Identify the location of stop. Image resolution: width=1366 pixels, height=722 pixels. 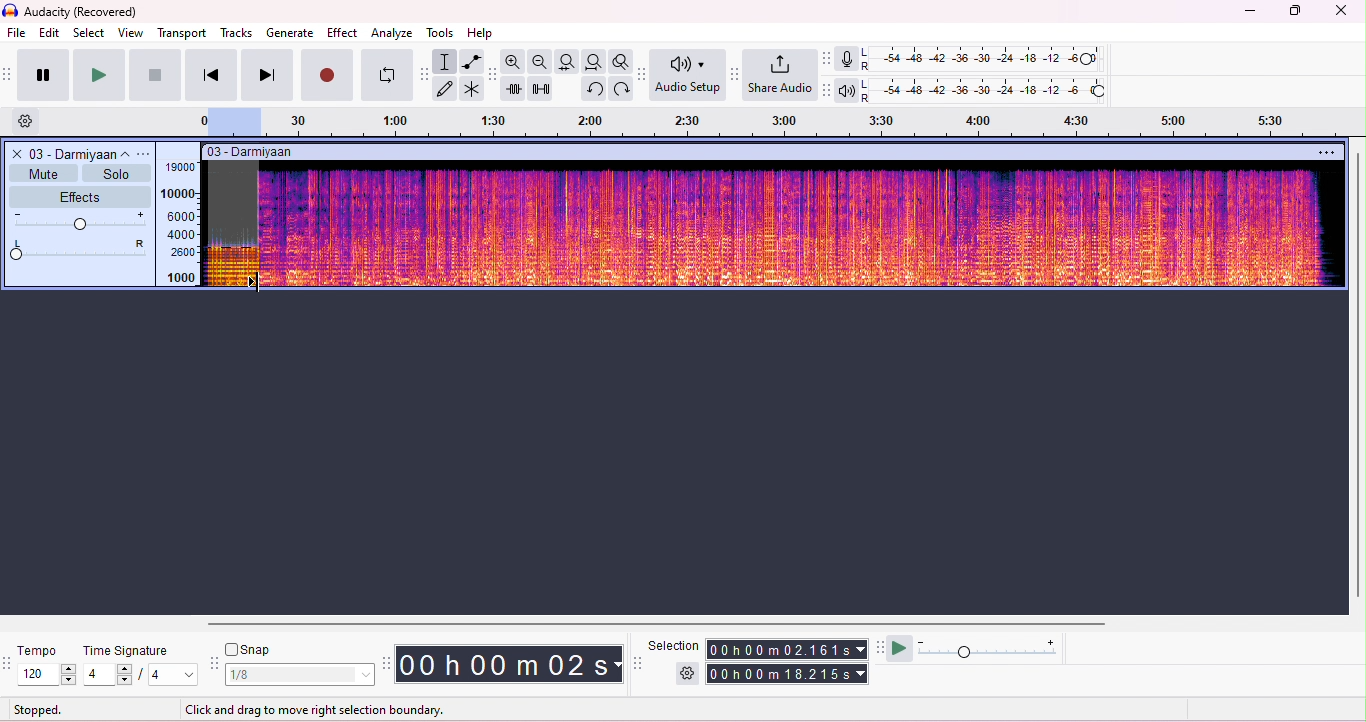
(155, 74).